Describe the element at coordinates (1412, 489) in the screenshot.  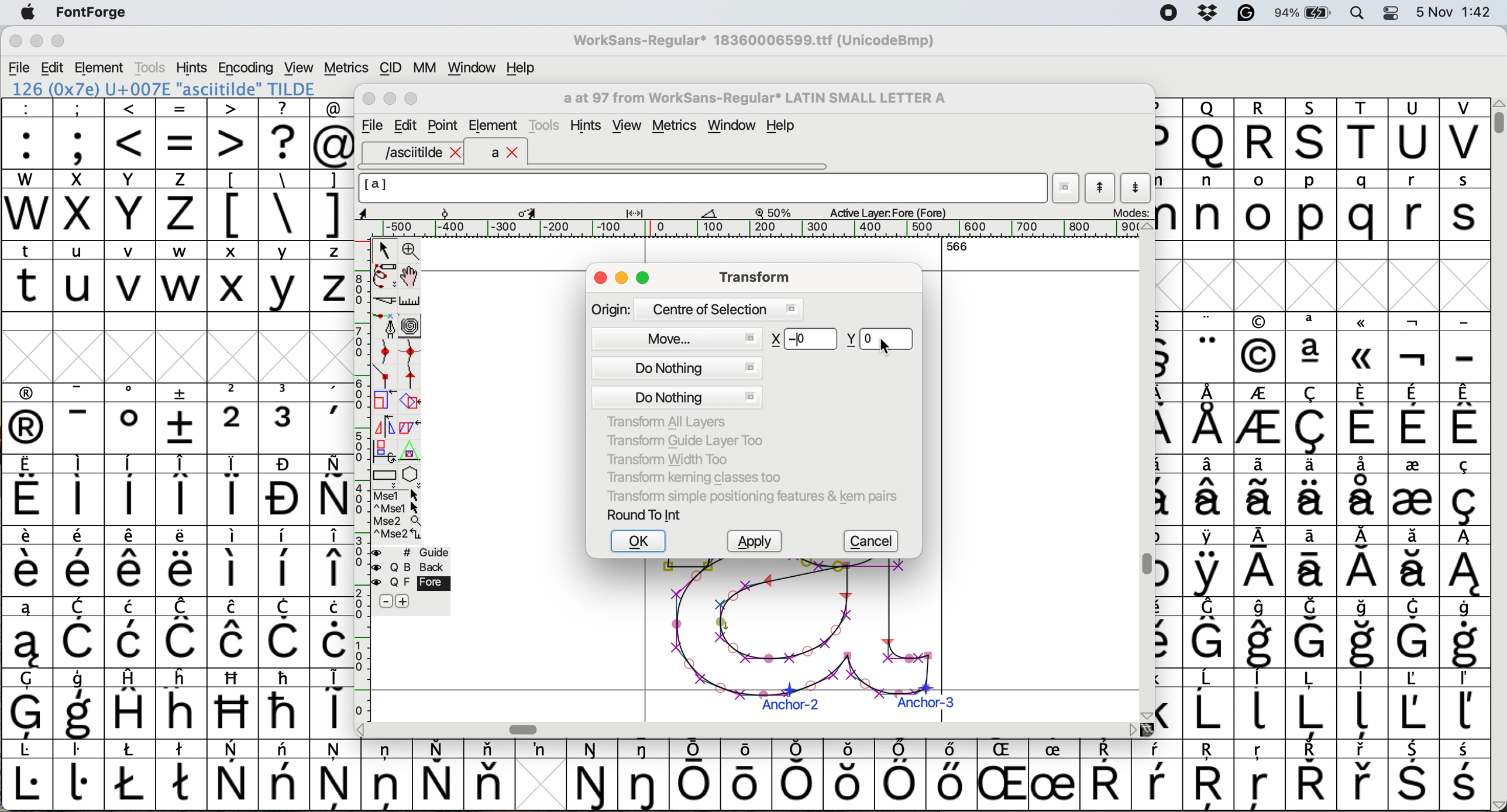
I see `symbol` at that location.